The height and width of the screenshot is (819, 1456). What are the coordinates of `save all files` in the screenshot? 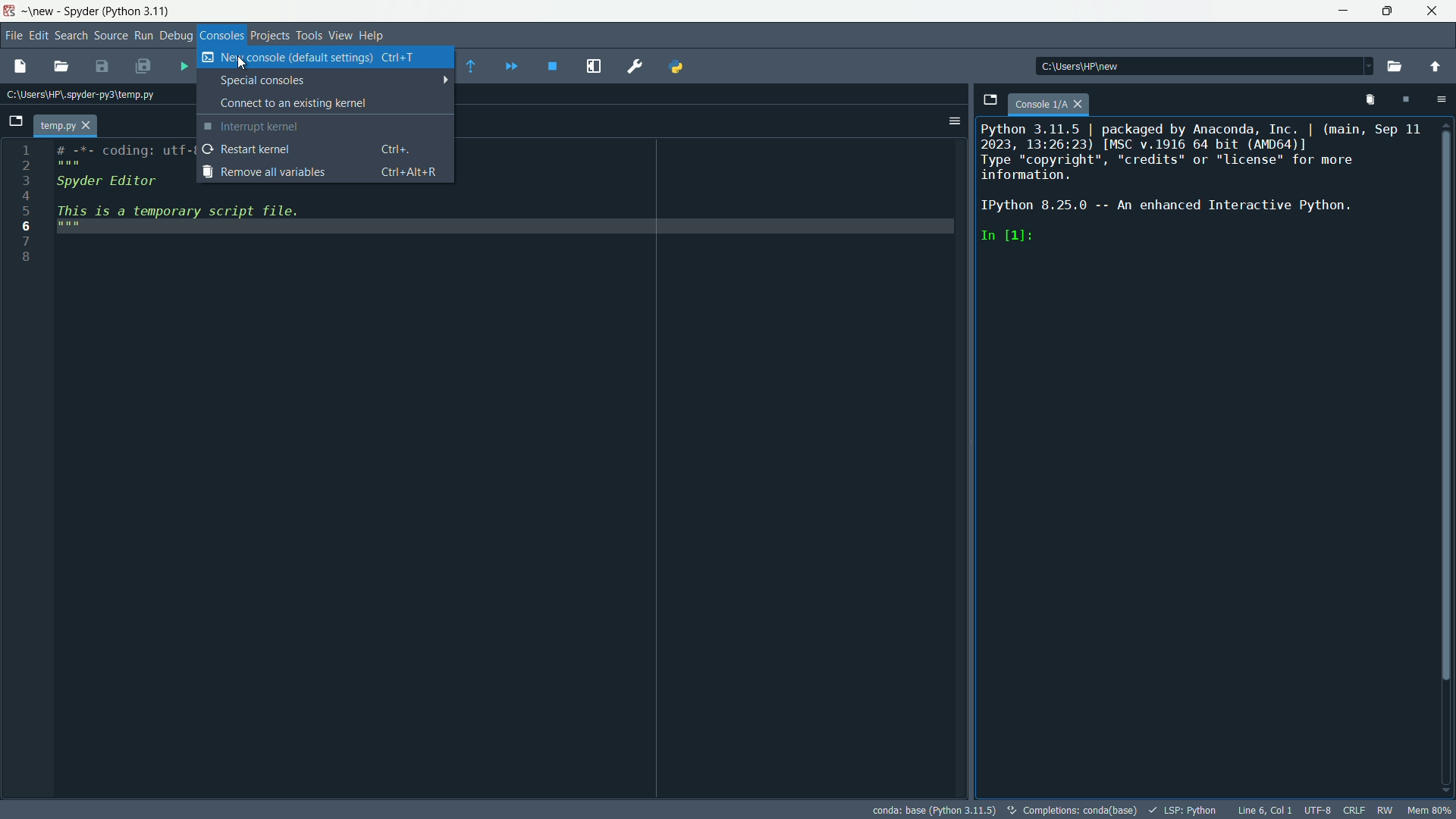 It's located at (143, 67).